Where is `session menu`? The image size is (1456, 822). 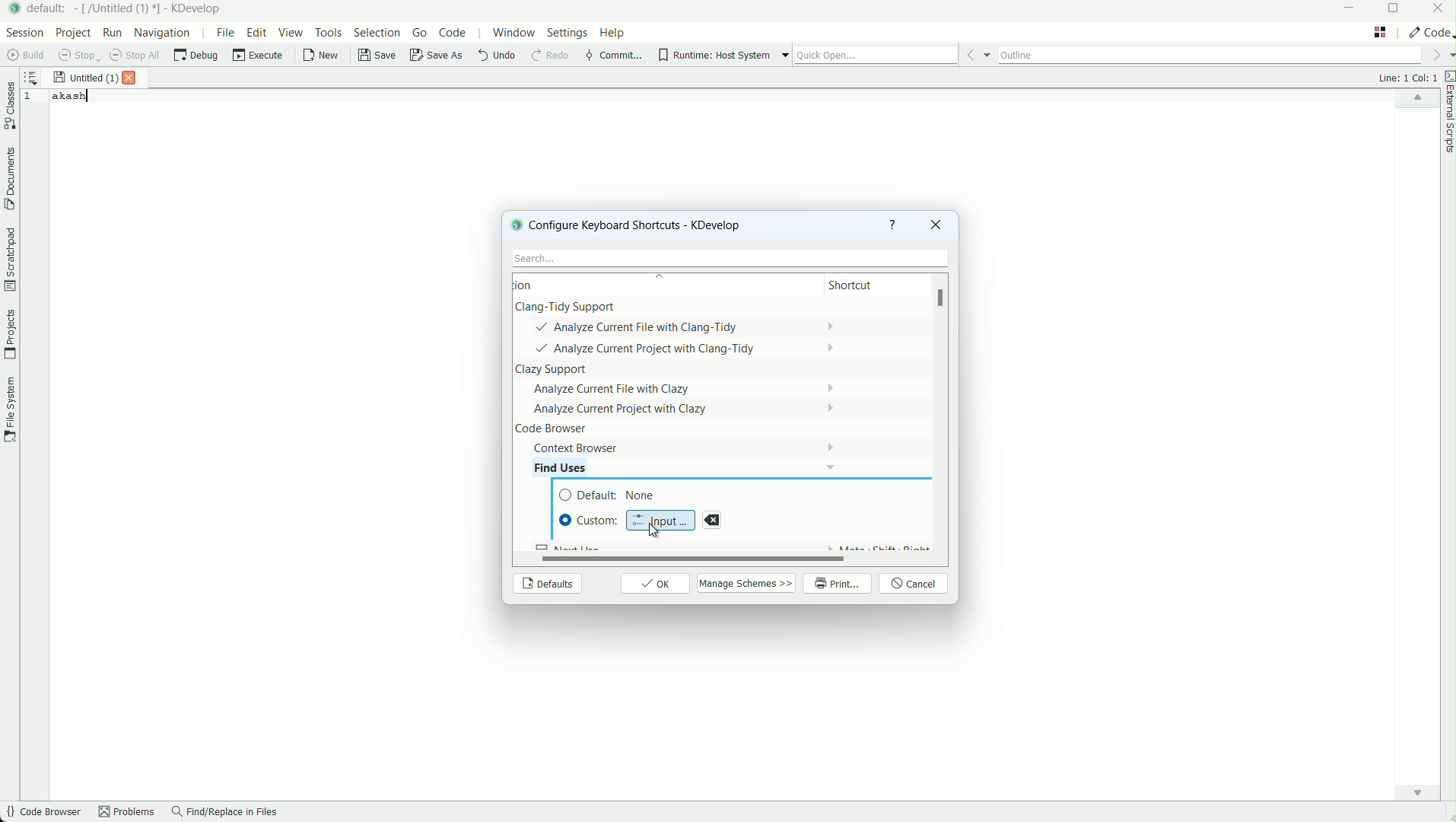
session menu is located at coordinates (23, 32).